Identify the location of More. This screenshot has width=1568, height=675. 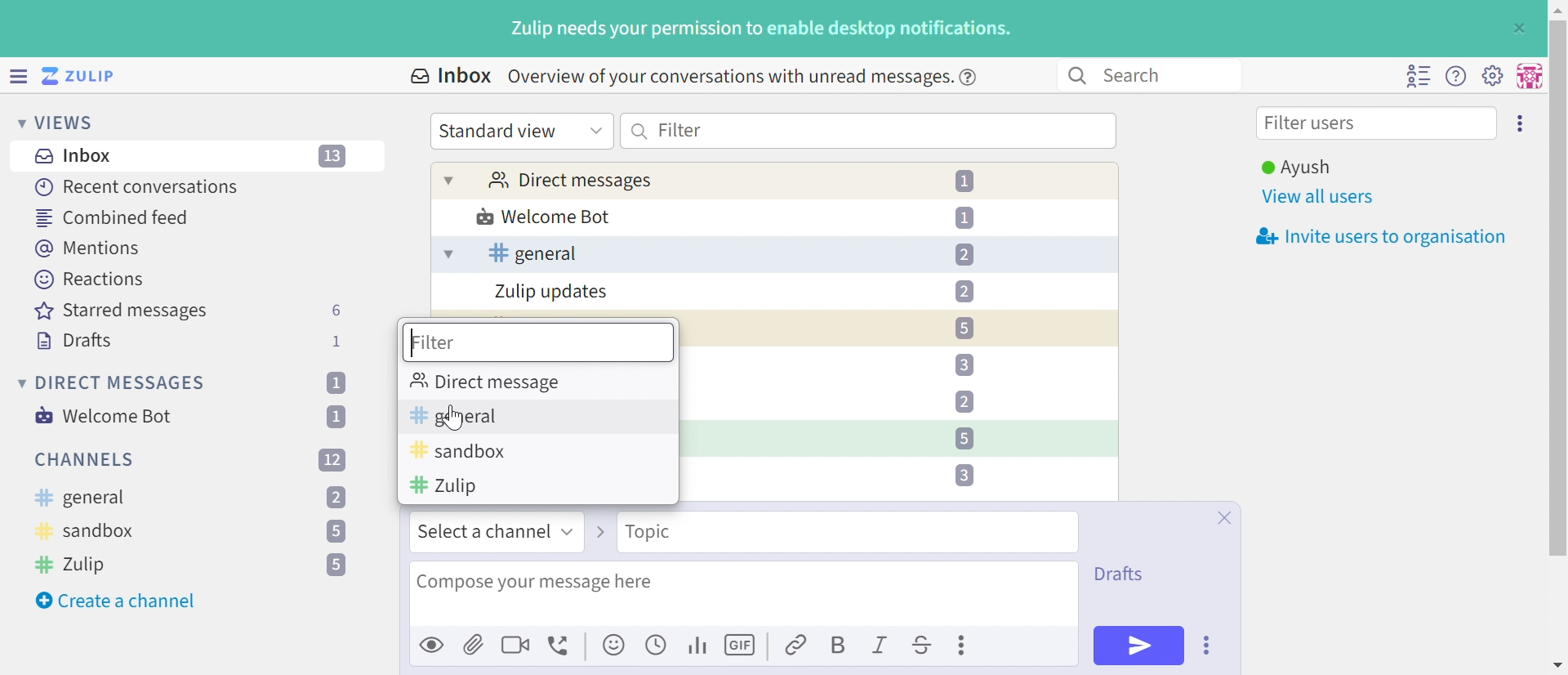
(964, 645).